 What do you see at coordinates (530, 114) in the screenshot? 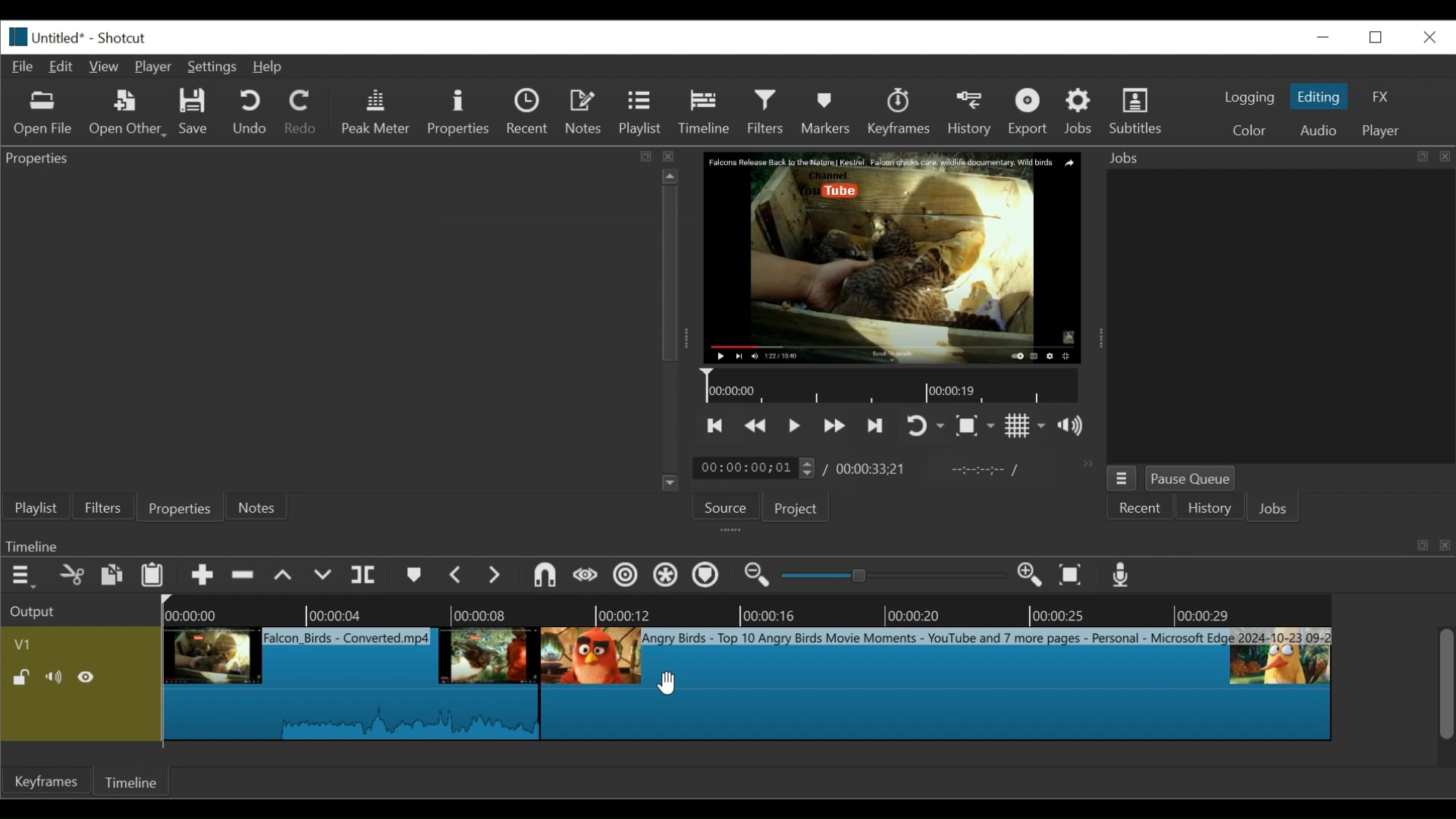
I see `Recent` at bounding box center [530, 114].